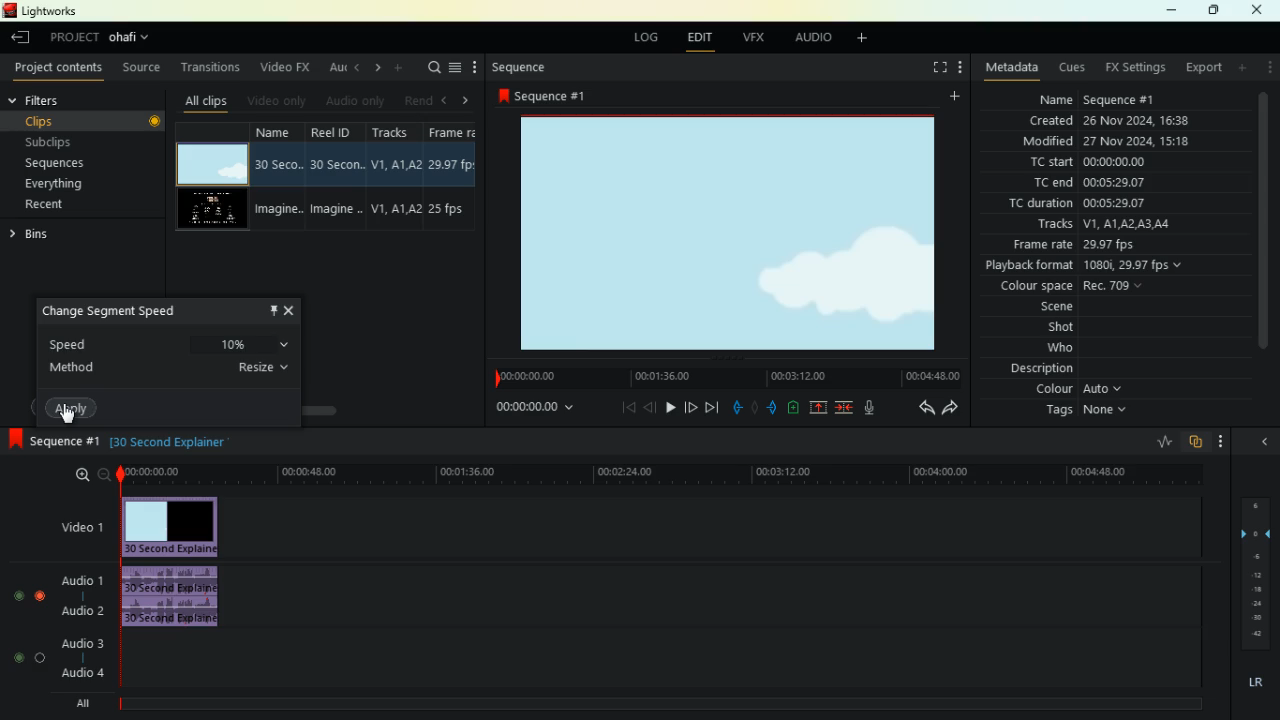 This screenshot has height=720, width=1280. What do you see at coordinates (477, 68) in the screenshot?
I see `more` at bounding box center [477, 68].